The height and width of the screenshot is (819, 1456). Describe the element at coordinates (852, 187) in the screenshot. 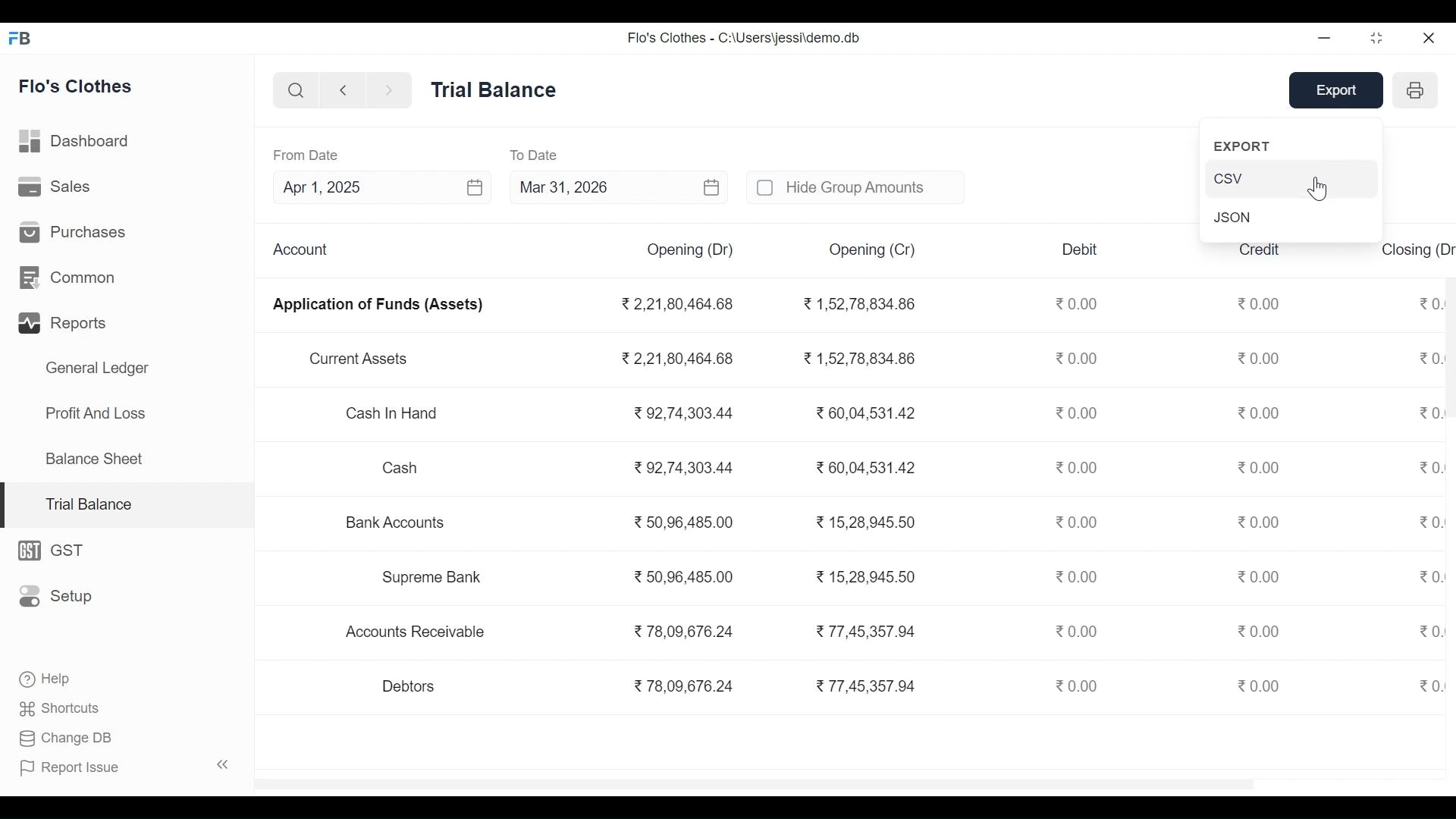

I see `unchecked Hide Group Amounts` at that location.